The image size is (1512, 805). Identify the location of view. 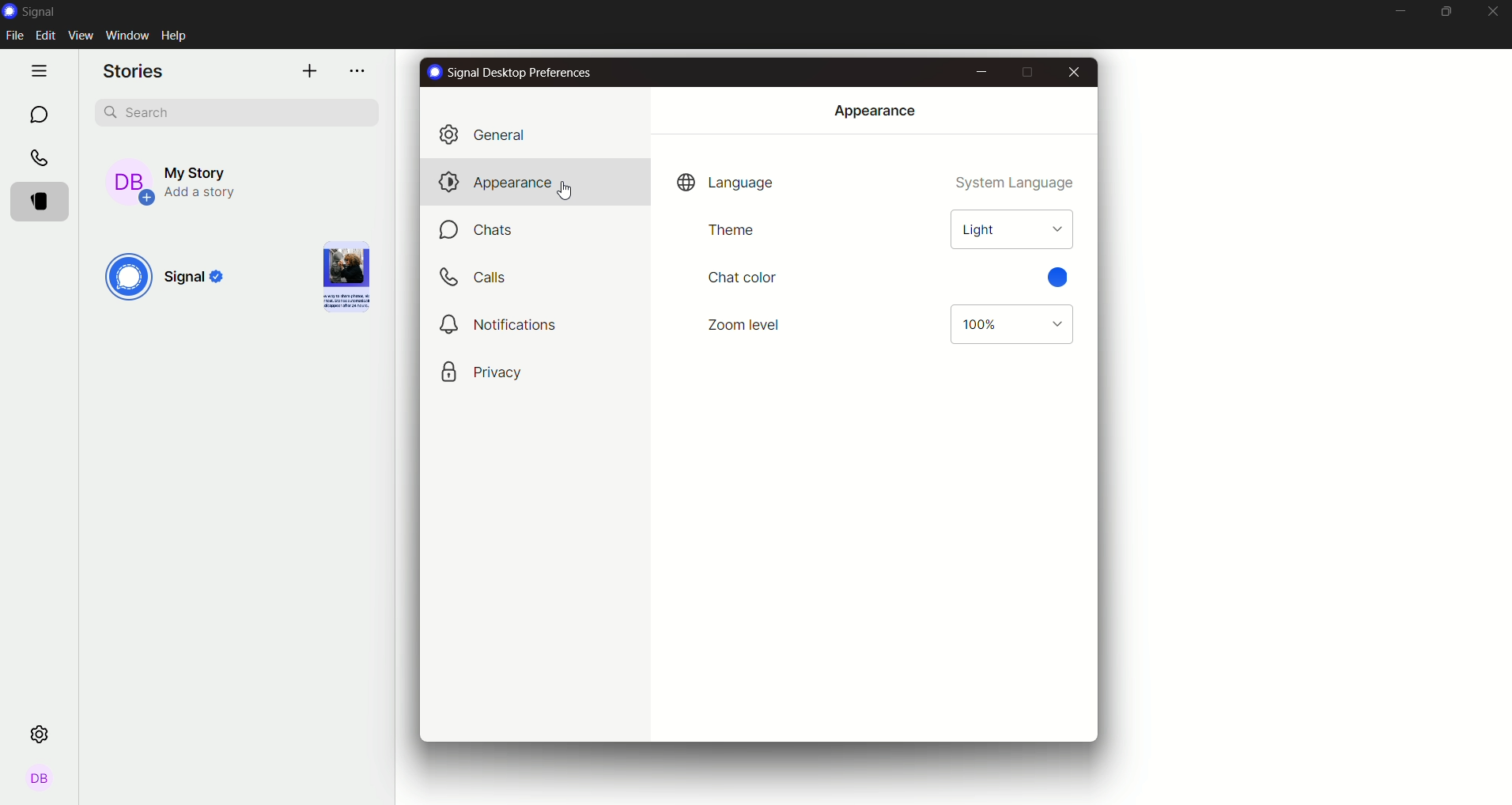
(81, 36).